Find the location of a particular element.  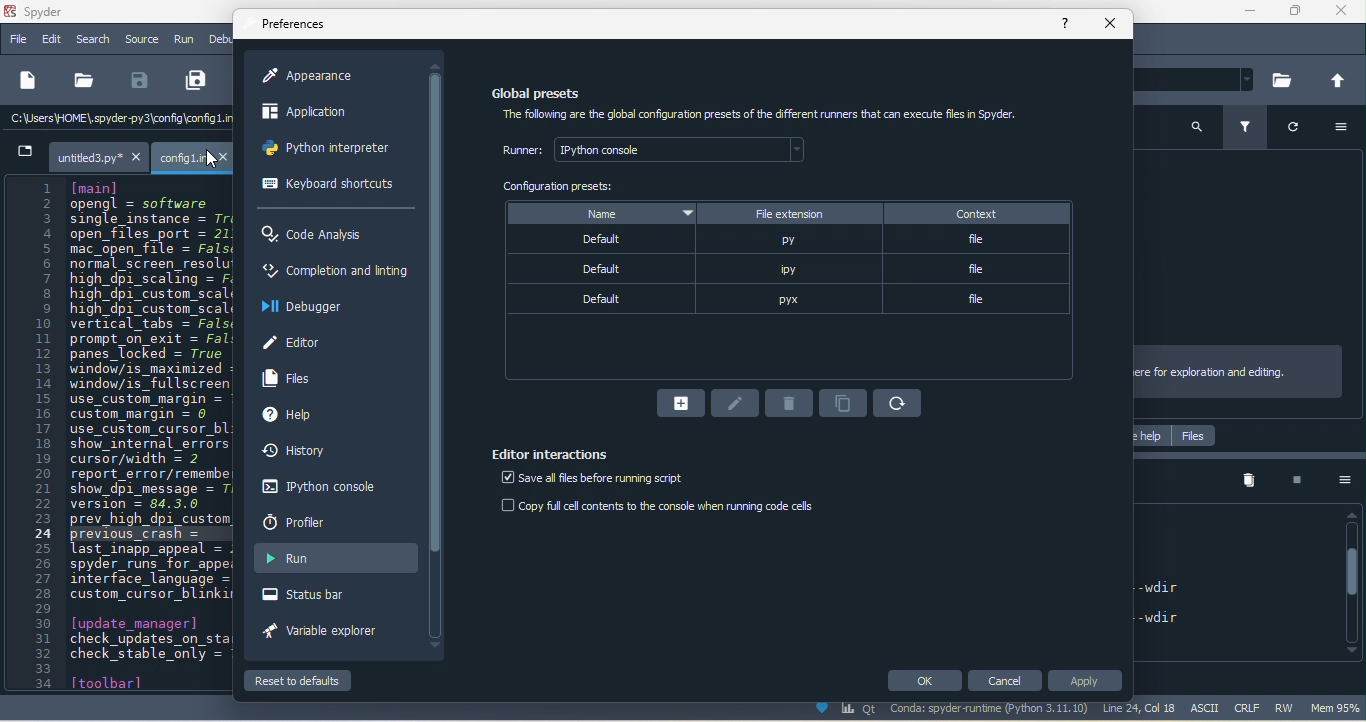

clone is located at coordinates (847, 403).